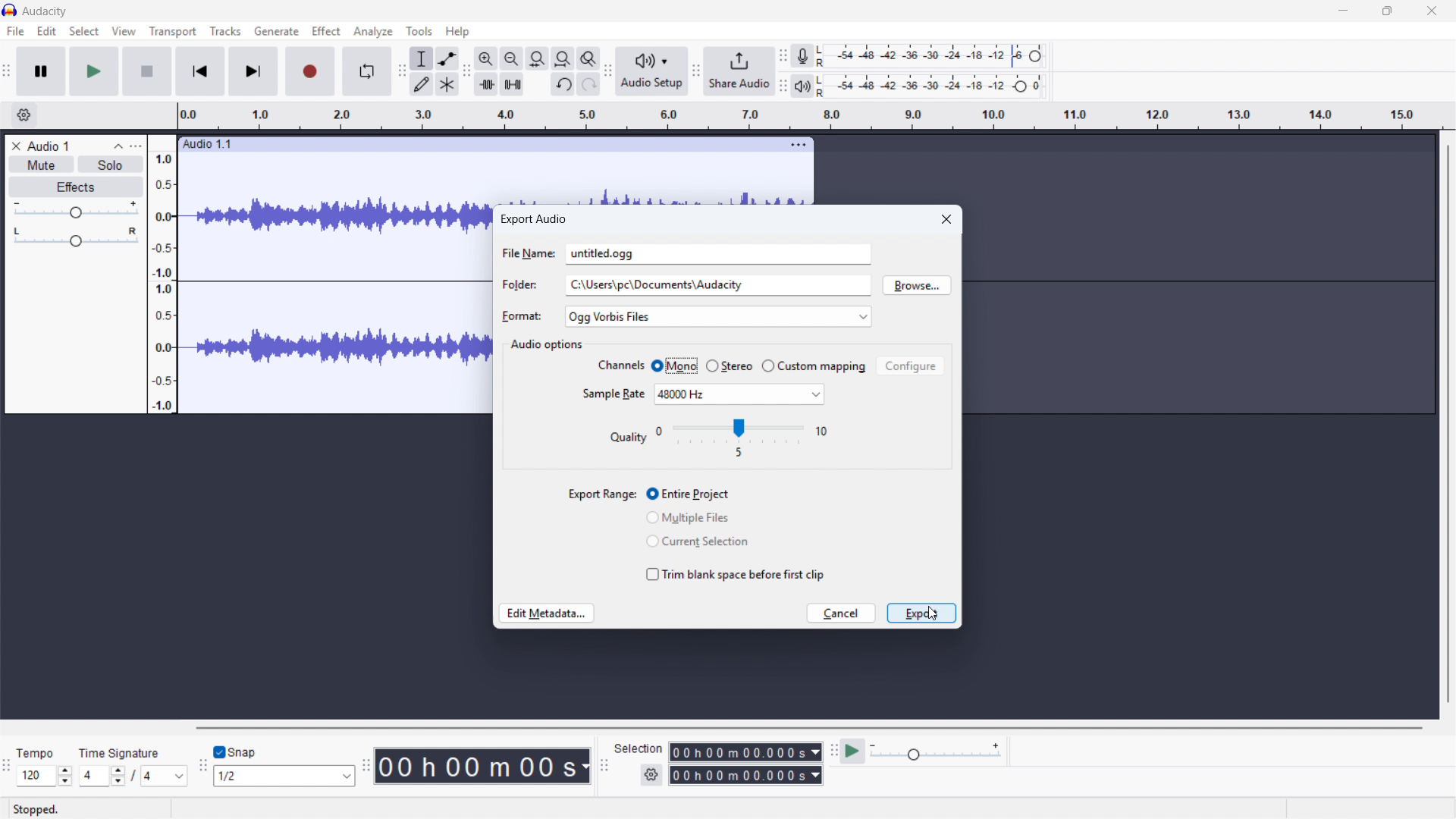 Image resolution: width=1456 pixels, height=819 pixels. What do you see at coordinates (200, 71) in the screenshot?
I see `Skip to beginning ` at bounding box center [200, 71].